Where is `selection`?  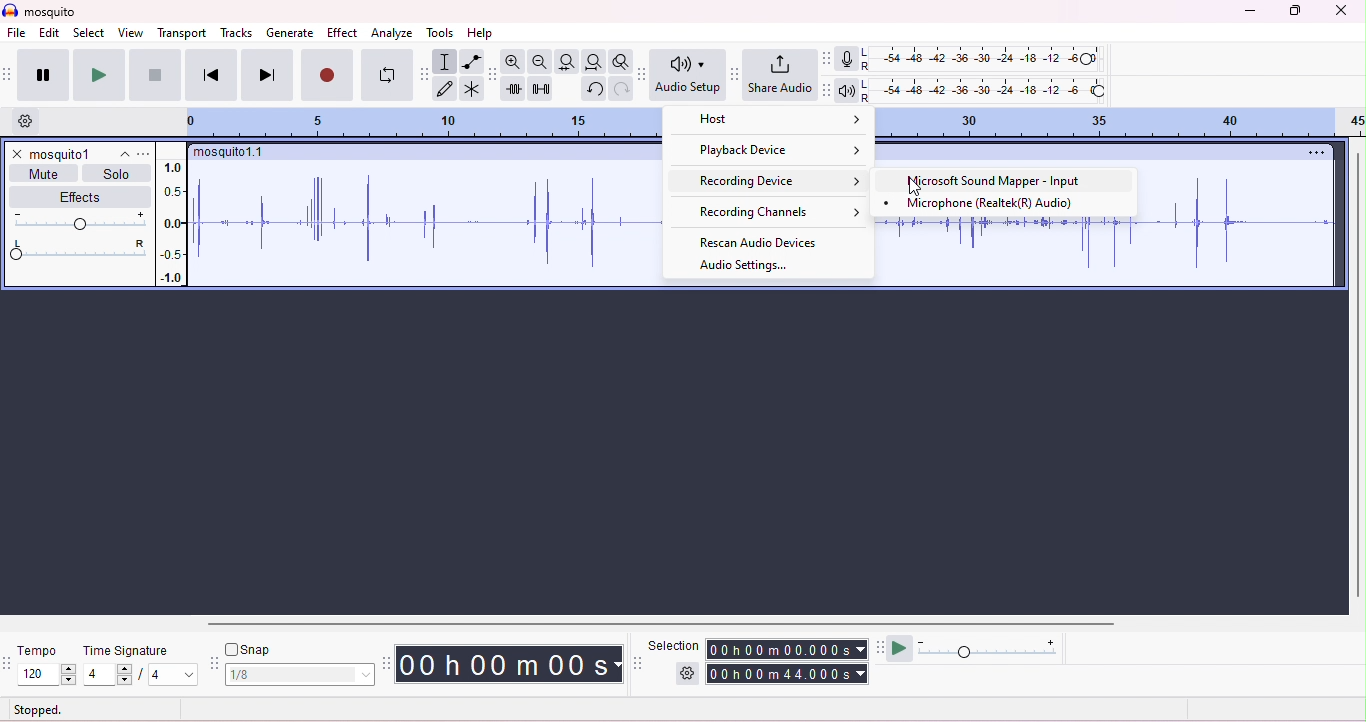 selection is located at coordinates (674, 645).